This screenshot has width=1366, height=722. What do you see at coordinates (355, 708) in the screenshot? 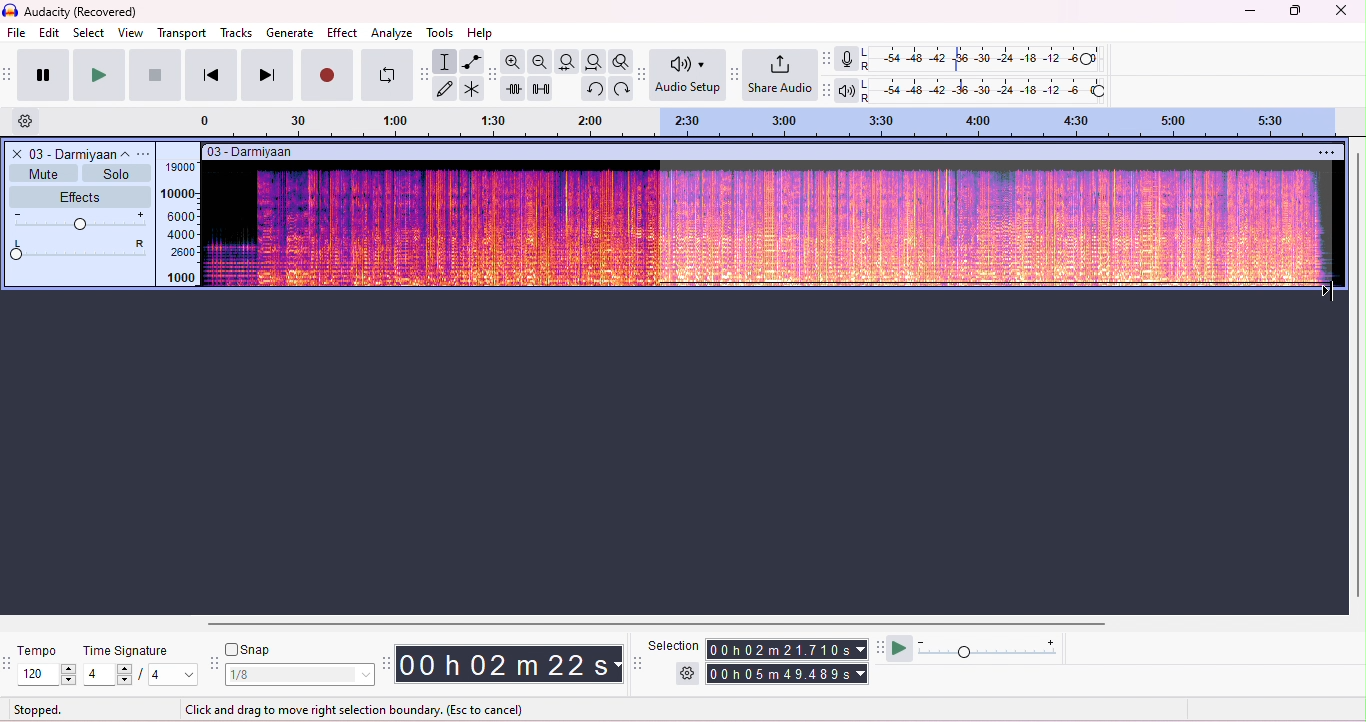
I see `Click and drag to move right selection boundary. (Esc to cancel)` at bounding box center [355, 708].